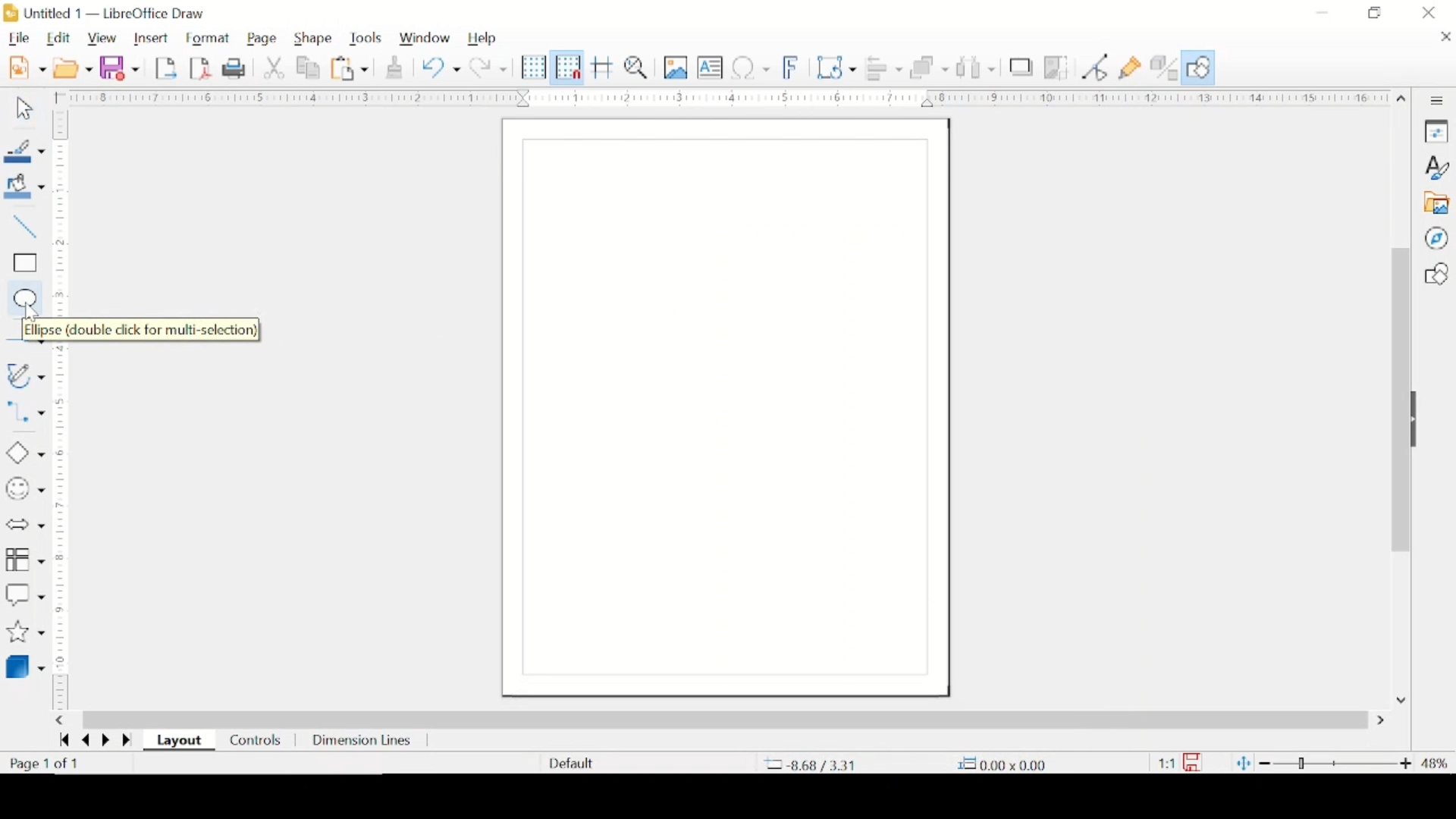  I want to click on clone formatting, so click(393, 67).